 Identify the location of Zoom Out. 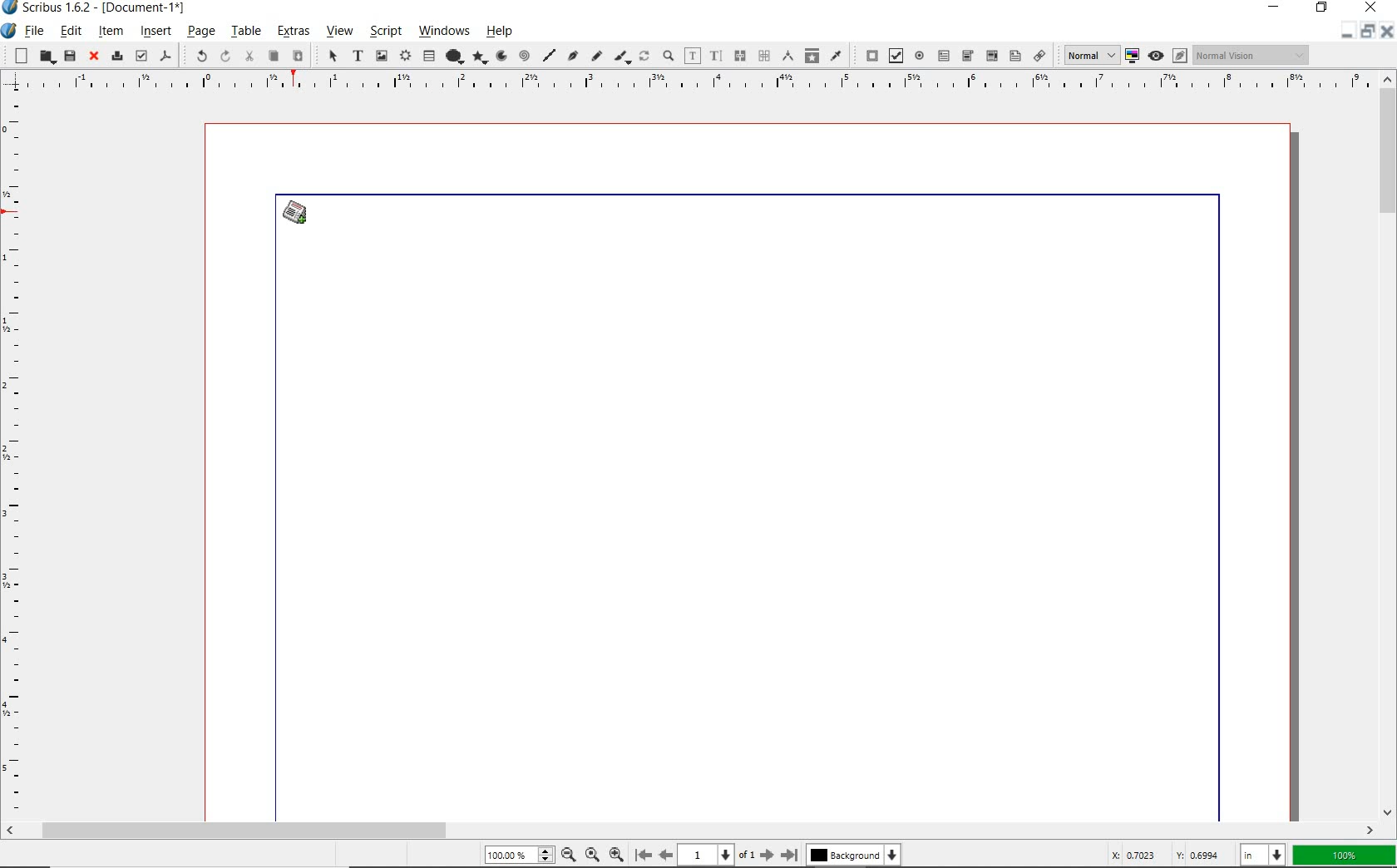
(569, 855).